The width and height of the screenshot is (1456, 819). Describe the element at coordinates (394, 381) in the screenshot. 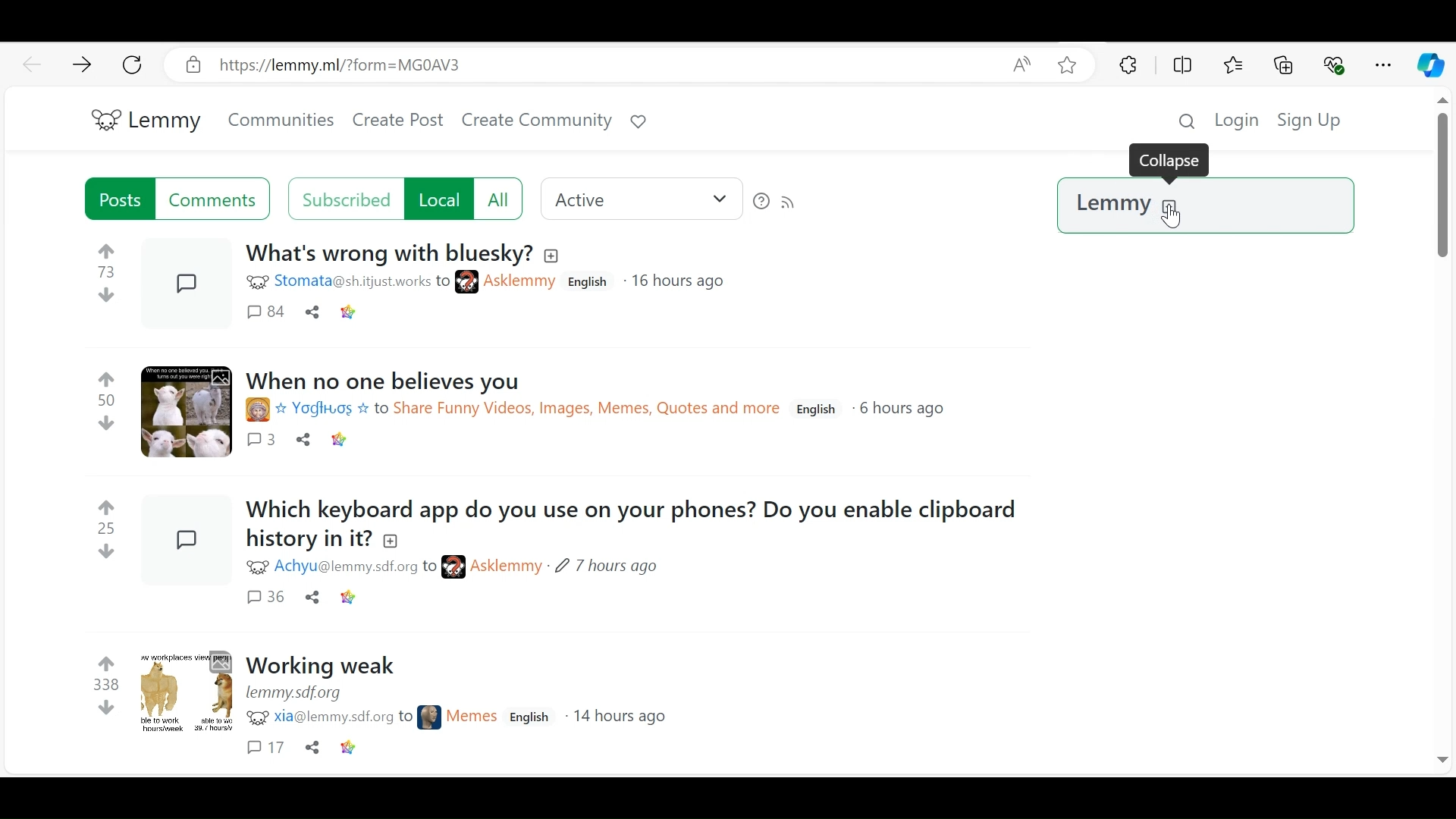

I see `Title` at that location.